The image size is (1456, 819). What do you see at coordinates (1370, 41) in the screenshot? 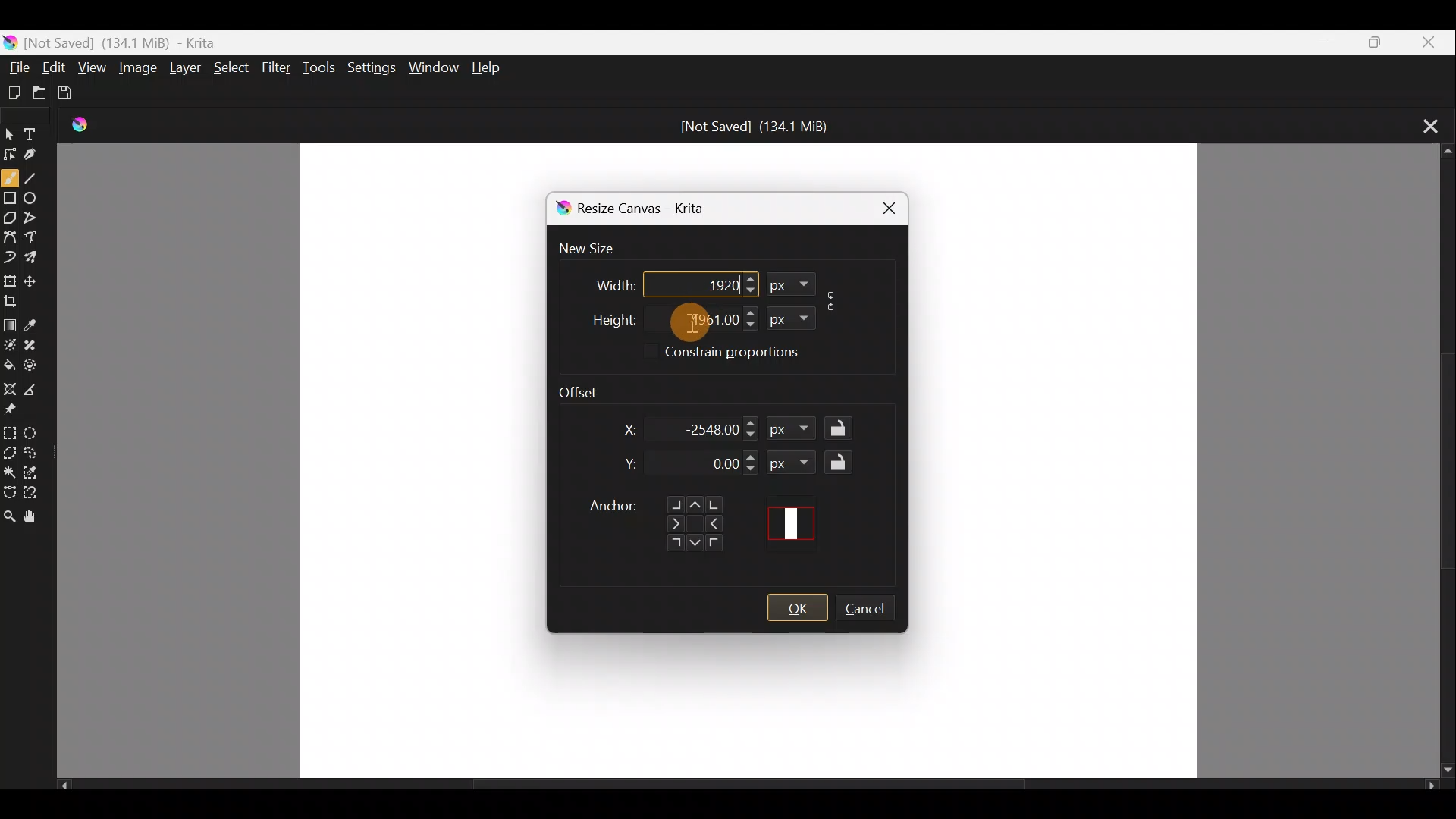
I see `Maximize` at bounding box center [1370, 41].